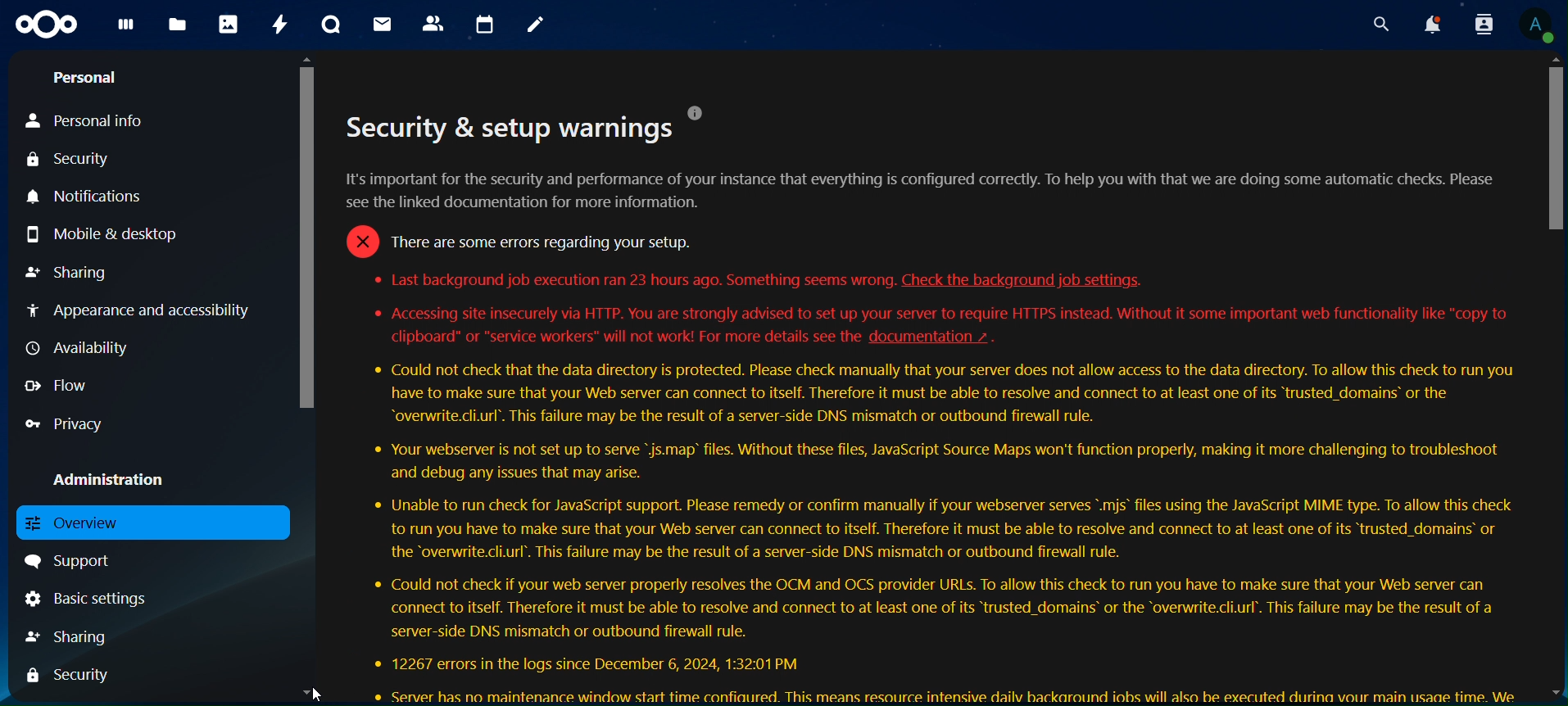  I want to click on Tooltip, so click(698, 112).